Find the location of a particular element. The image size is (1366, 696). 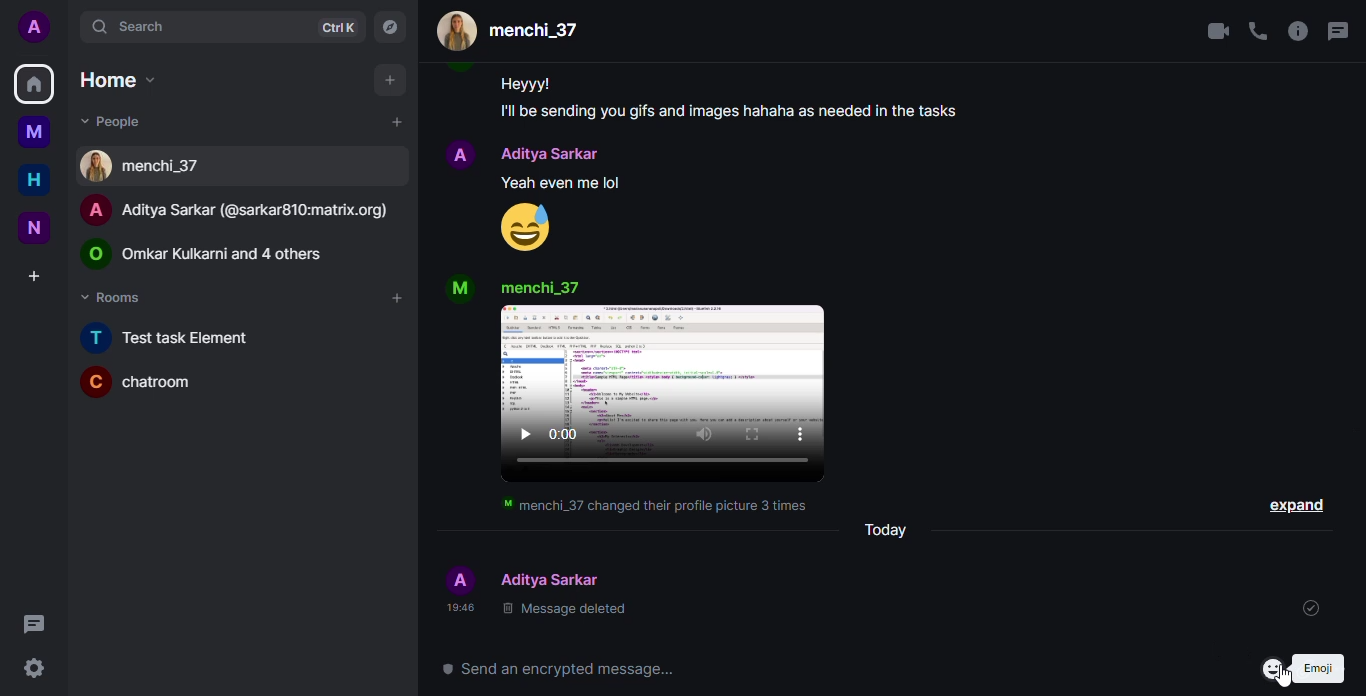

emoji is located at coordinates (525, 227).